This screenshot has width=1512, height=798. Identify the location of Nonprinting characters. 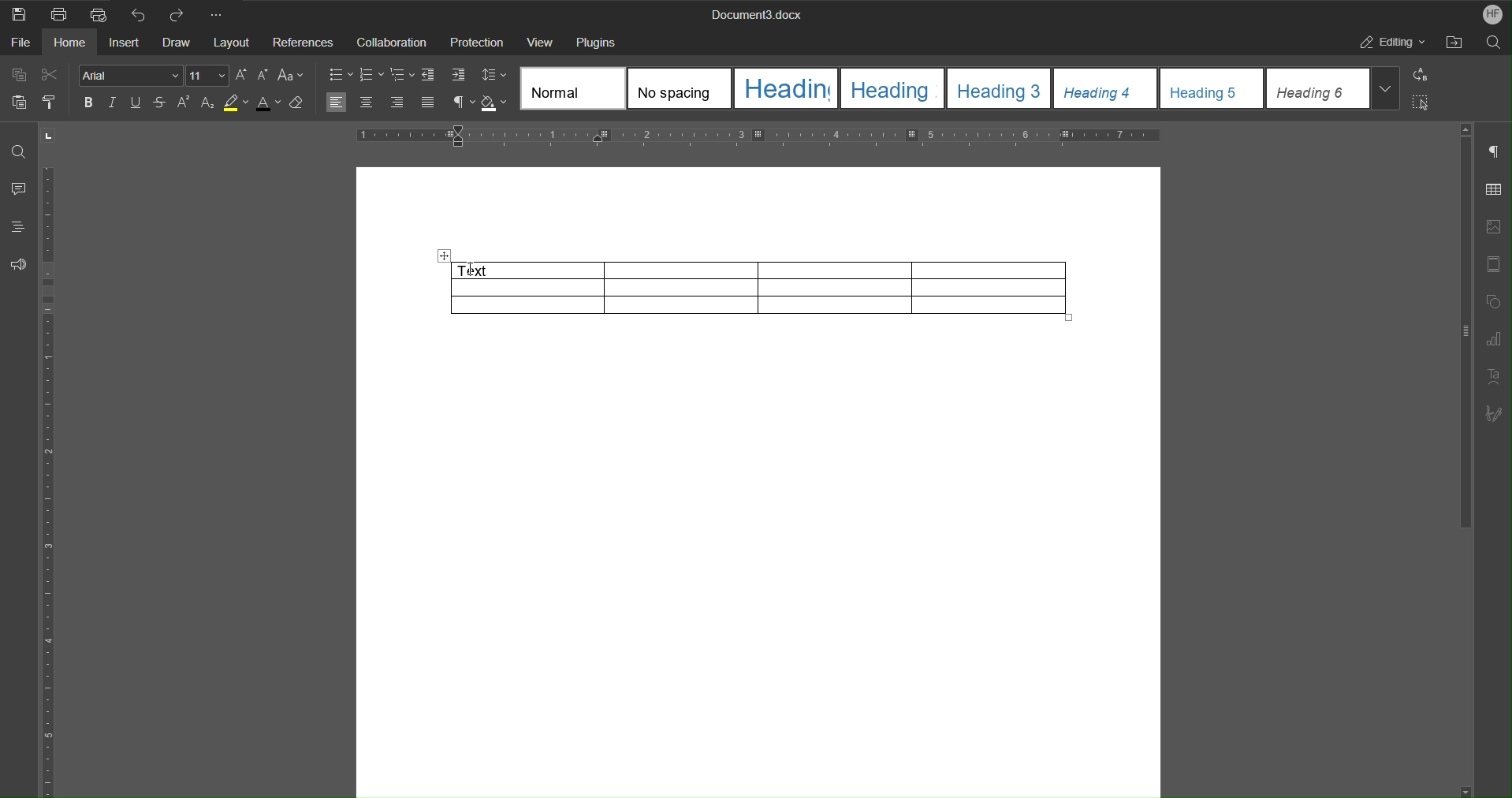
(460, 103).